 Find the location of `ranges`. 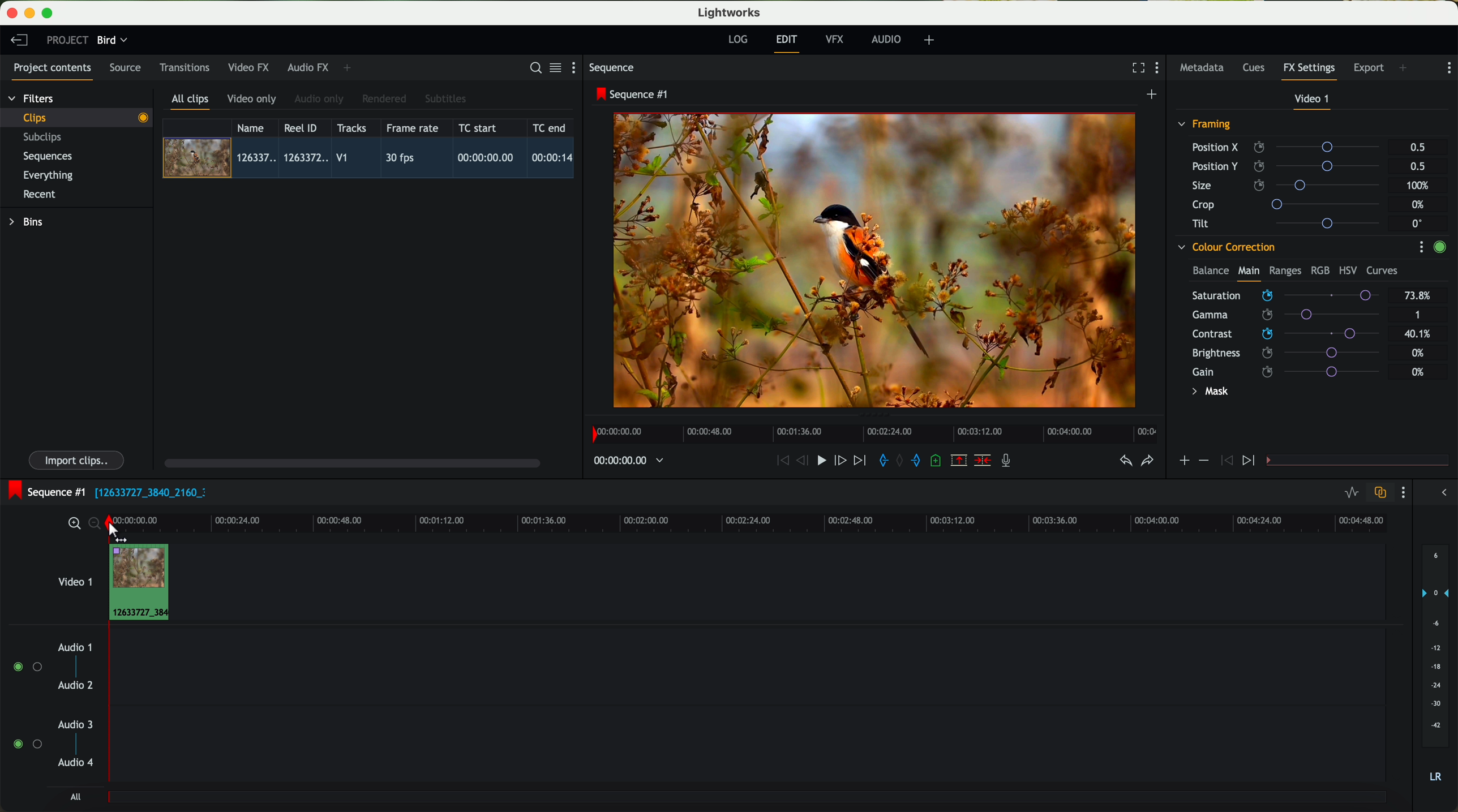

ranges is located at coordinates (1285, 270).